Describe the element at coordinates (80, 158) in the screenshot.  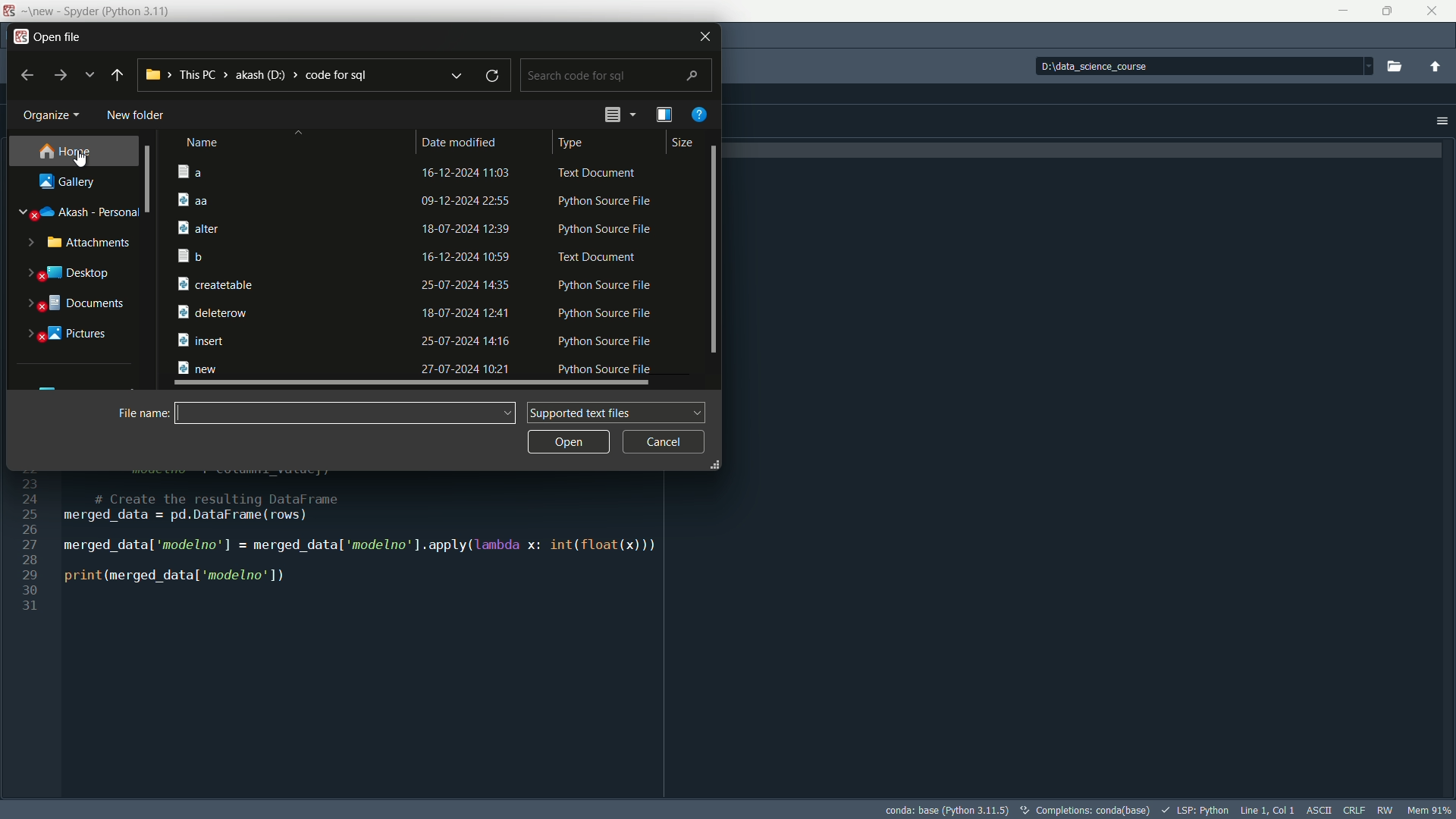
I see `cursor` at that location.